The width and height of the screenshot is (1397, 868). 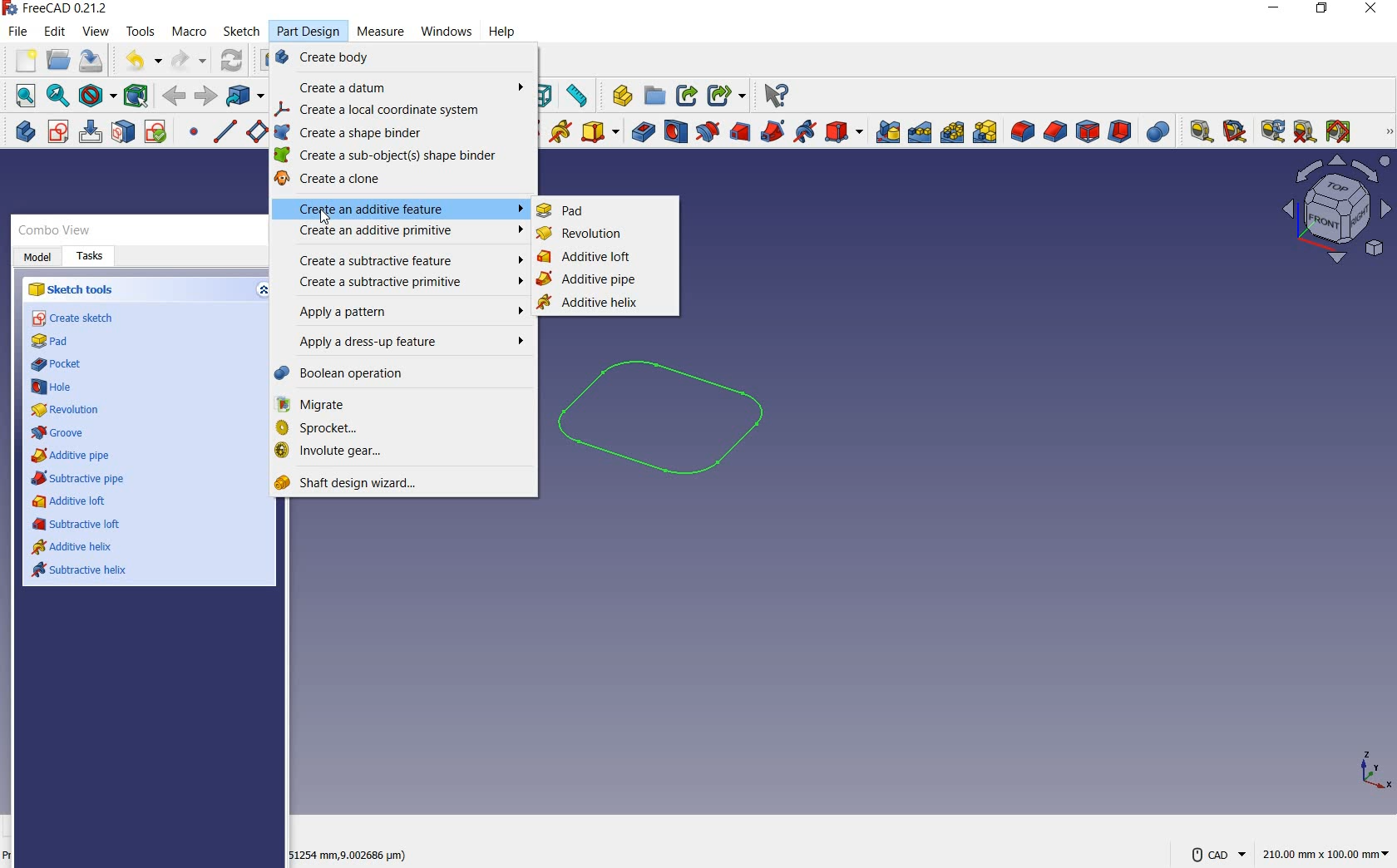 What do you see at coordinates (1236, 131) in the screenshot?
I see `measure angular` at bounding box center [1236, 131].